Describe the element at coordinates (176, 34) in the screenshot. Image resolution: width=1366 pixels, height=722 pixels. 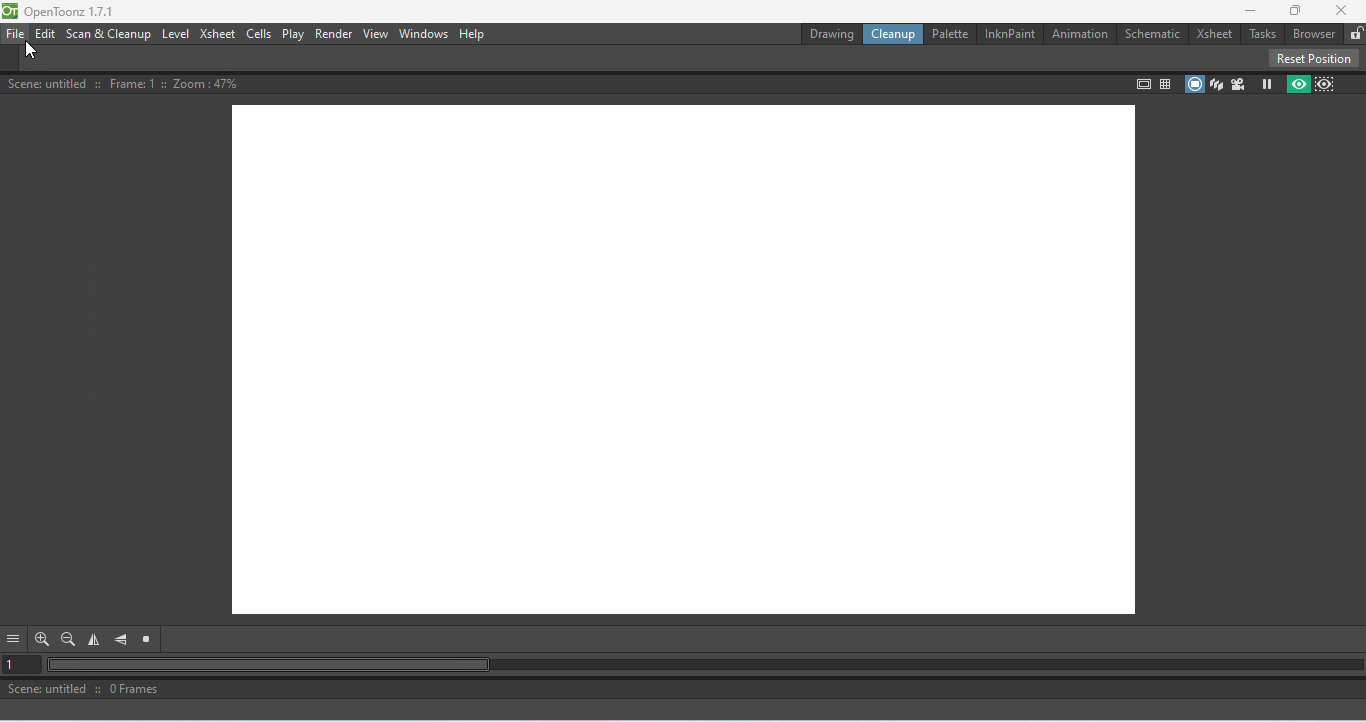
I see `Level` at that location.